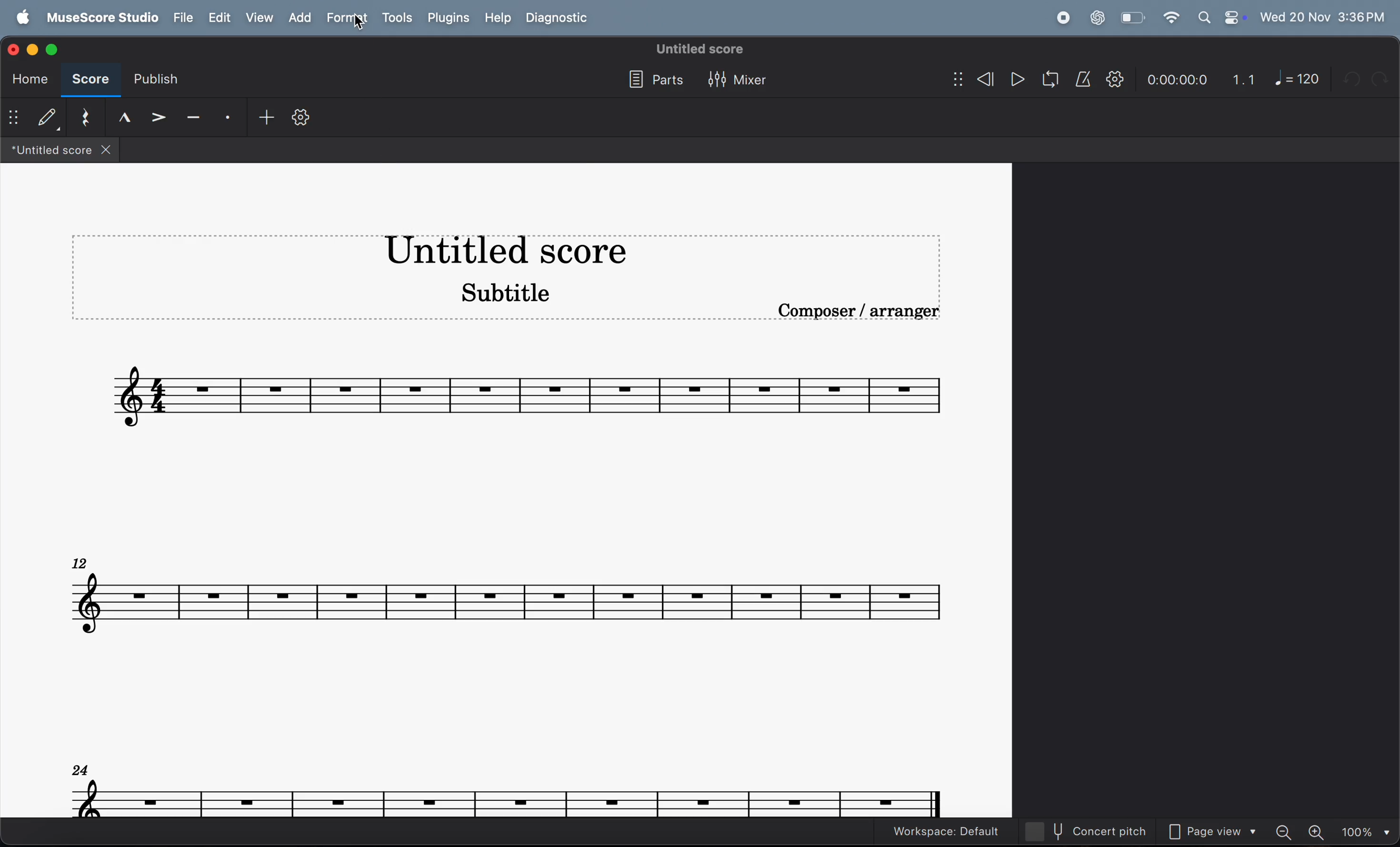 The height and width of the screenshot is (847, 1400). I want to click on untitled score, so click(701, 49).